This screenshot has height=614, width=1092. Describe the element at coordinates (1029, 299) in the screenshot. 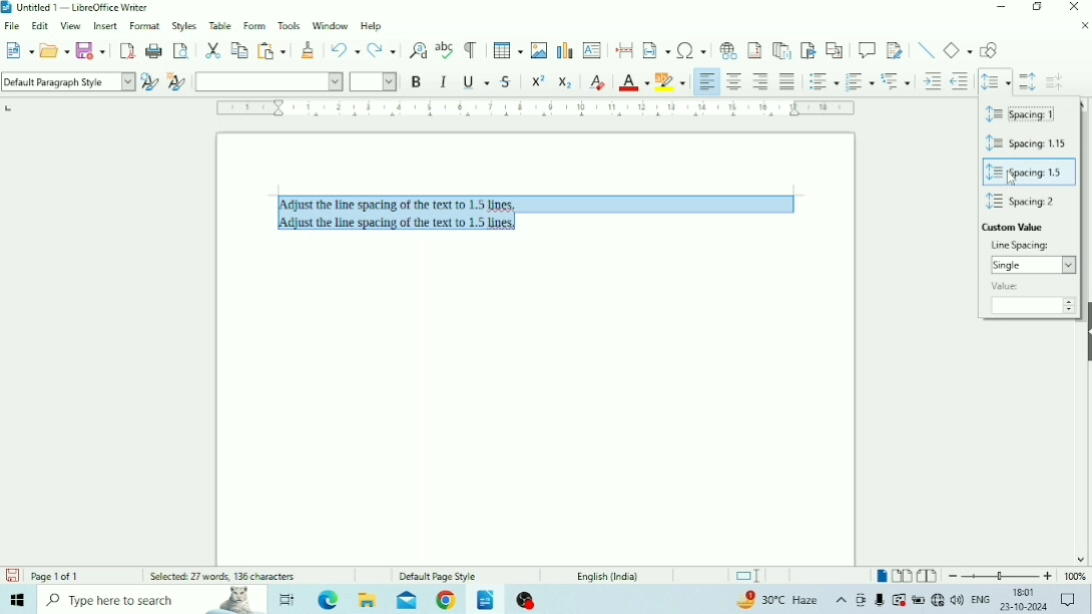

I see `Value:` at that location.